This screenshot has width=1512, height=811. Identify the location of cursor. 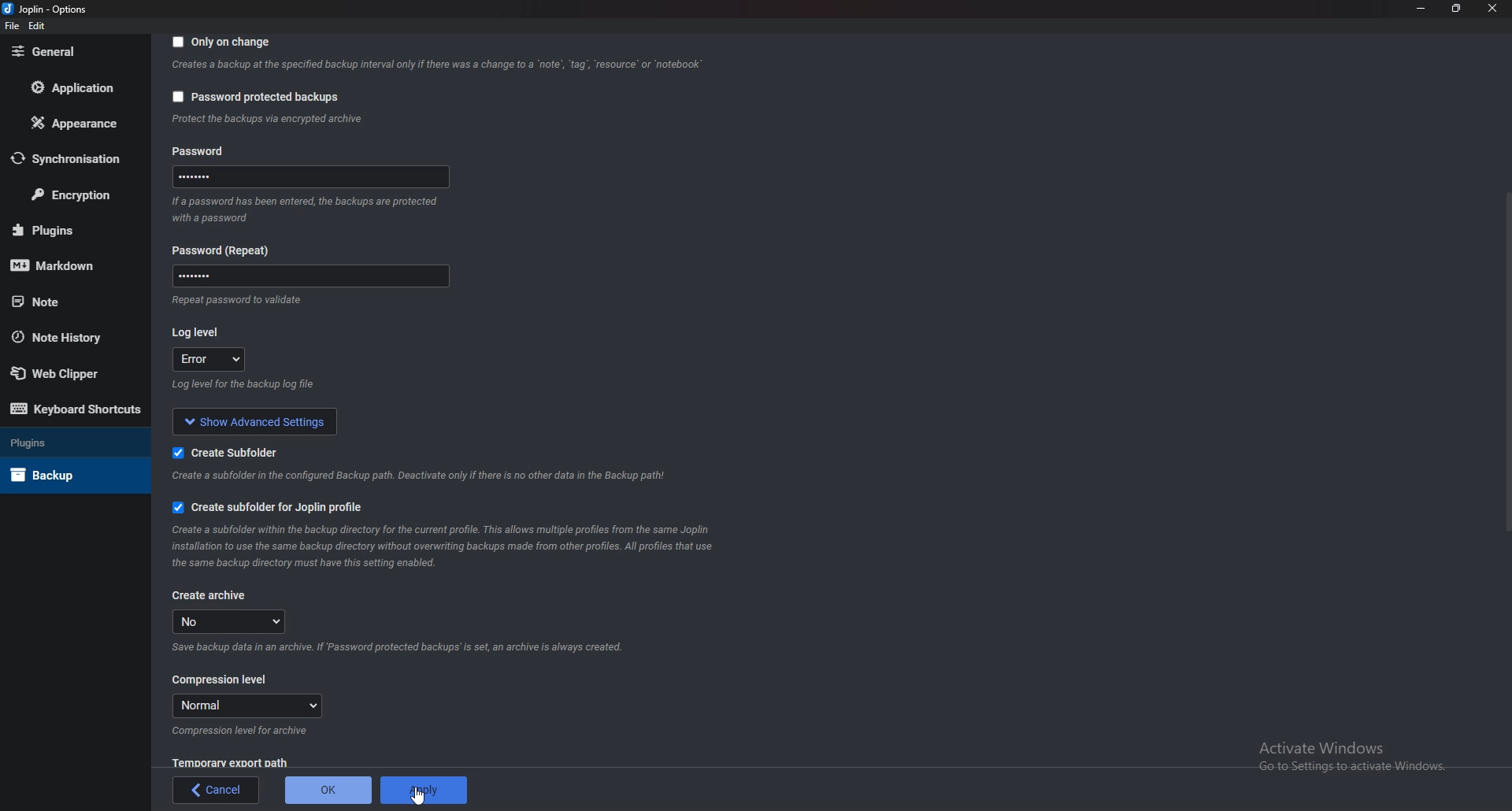
(418, 795).